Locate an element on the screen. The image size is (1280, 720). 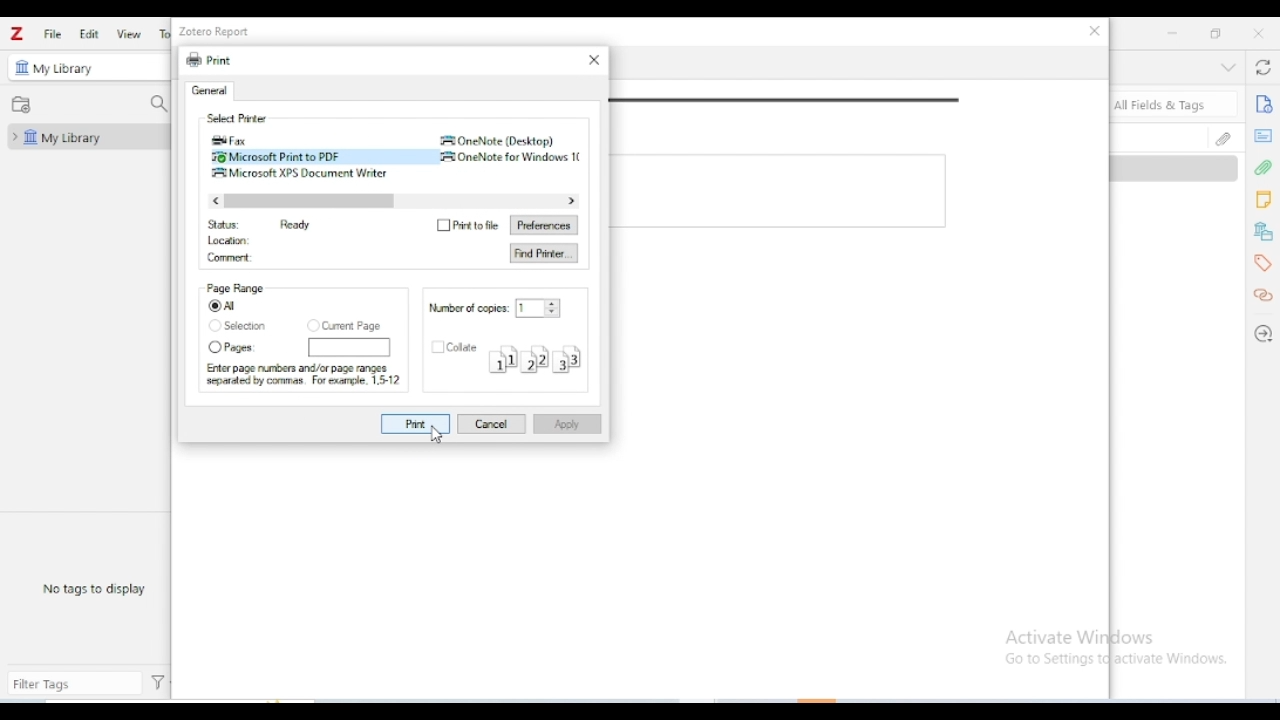
current page is located at coordinates (354, 326).